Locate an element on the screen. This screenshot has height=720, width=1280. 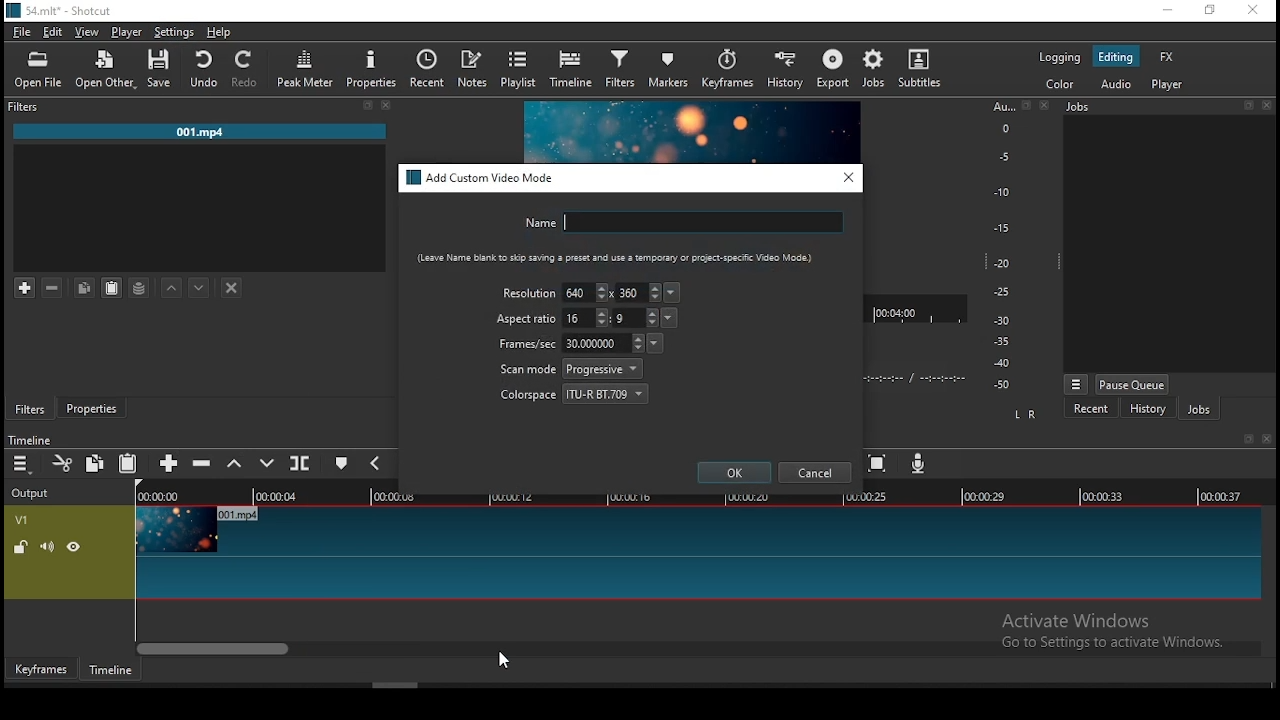
jobs menu is located at coordinates (1077, 386).